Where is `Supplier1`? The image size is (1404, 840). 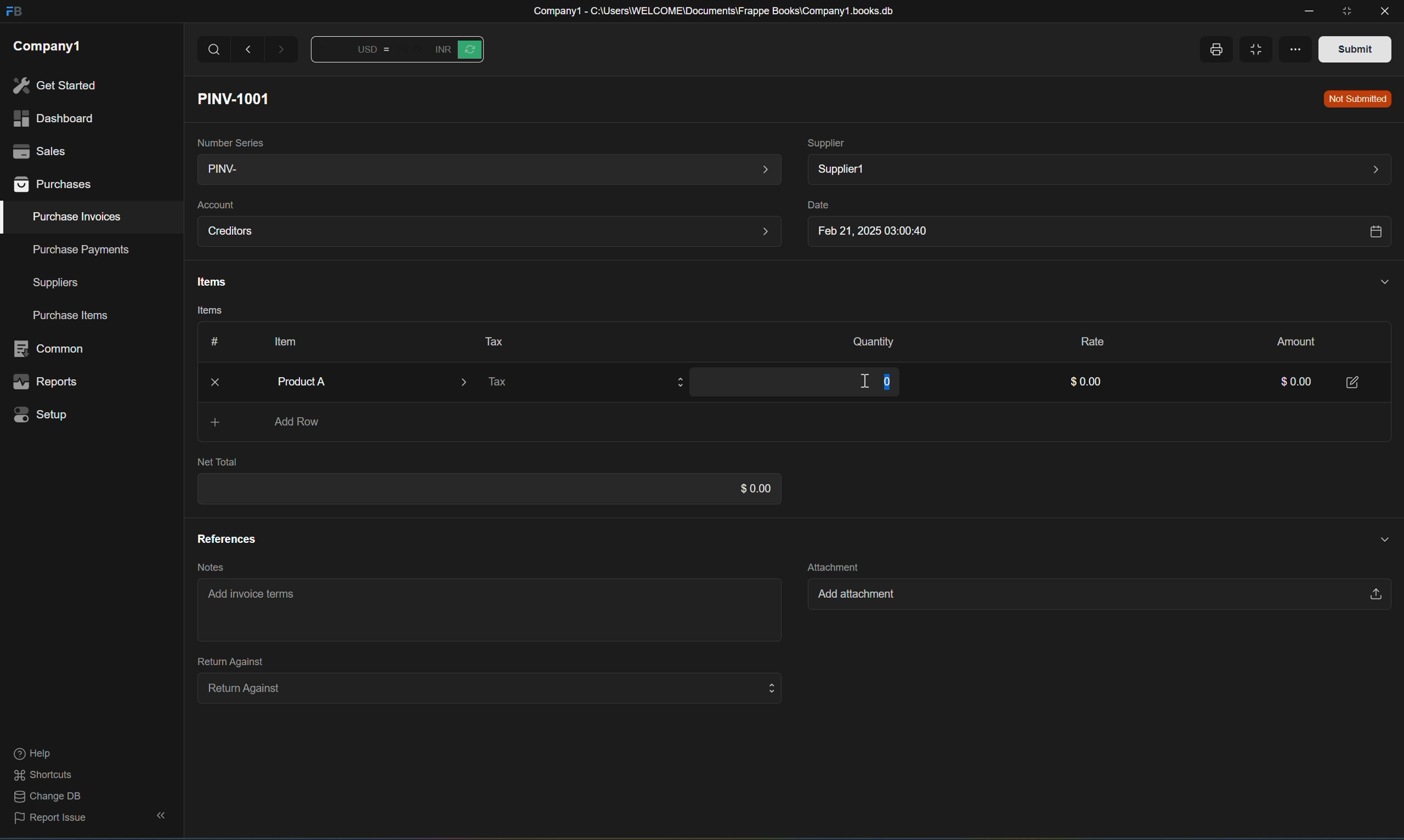 Supplier1 is located at coordinates (1097, 169).